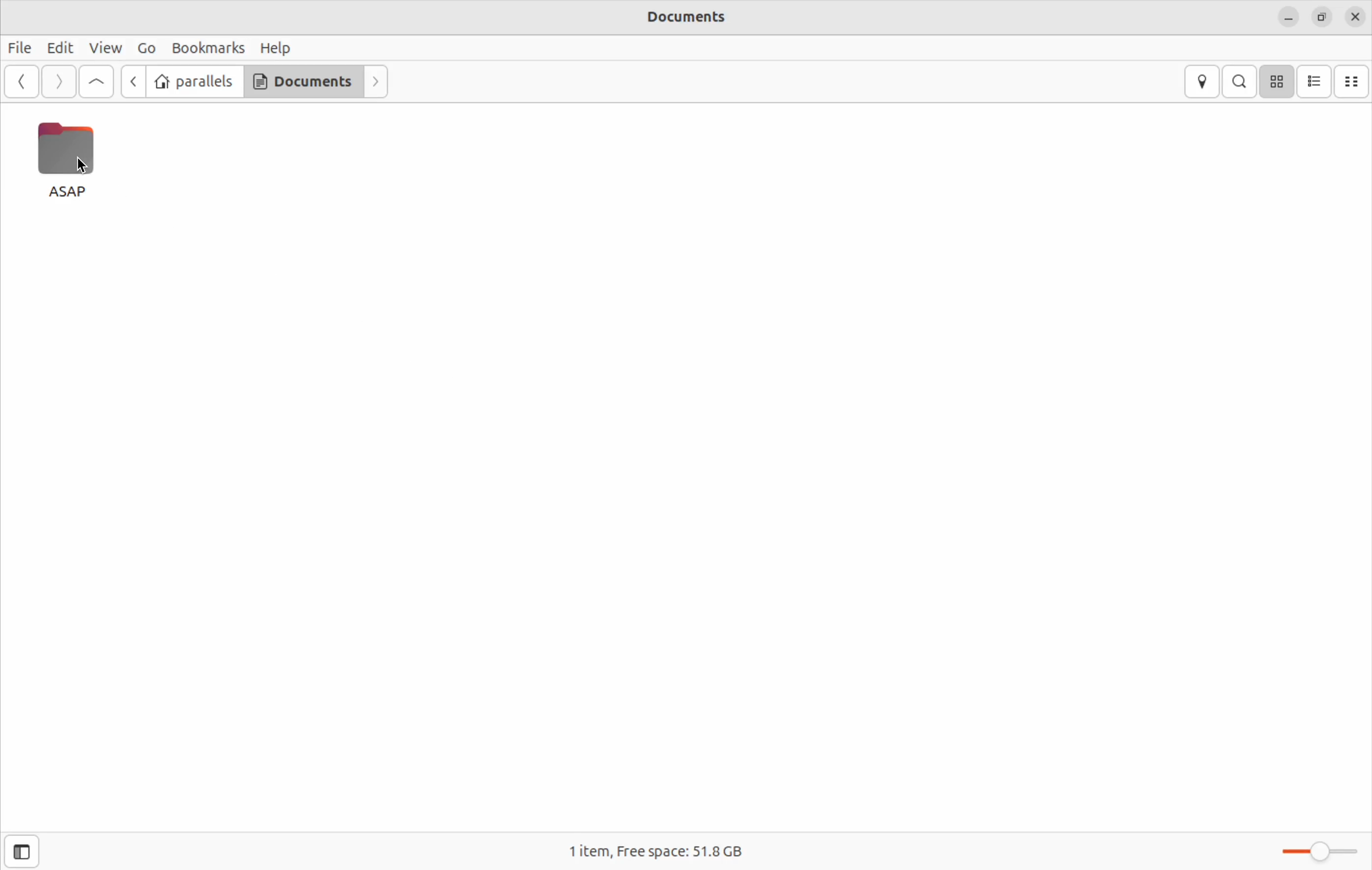  I want to click on Bookmarks, so click(210, 47).